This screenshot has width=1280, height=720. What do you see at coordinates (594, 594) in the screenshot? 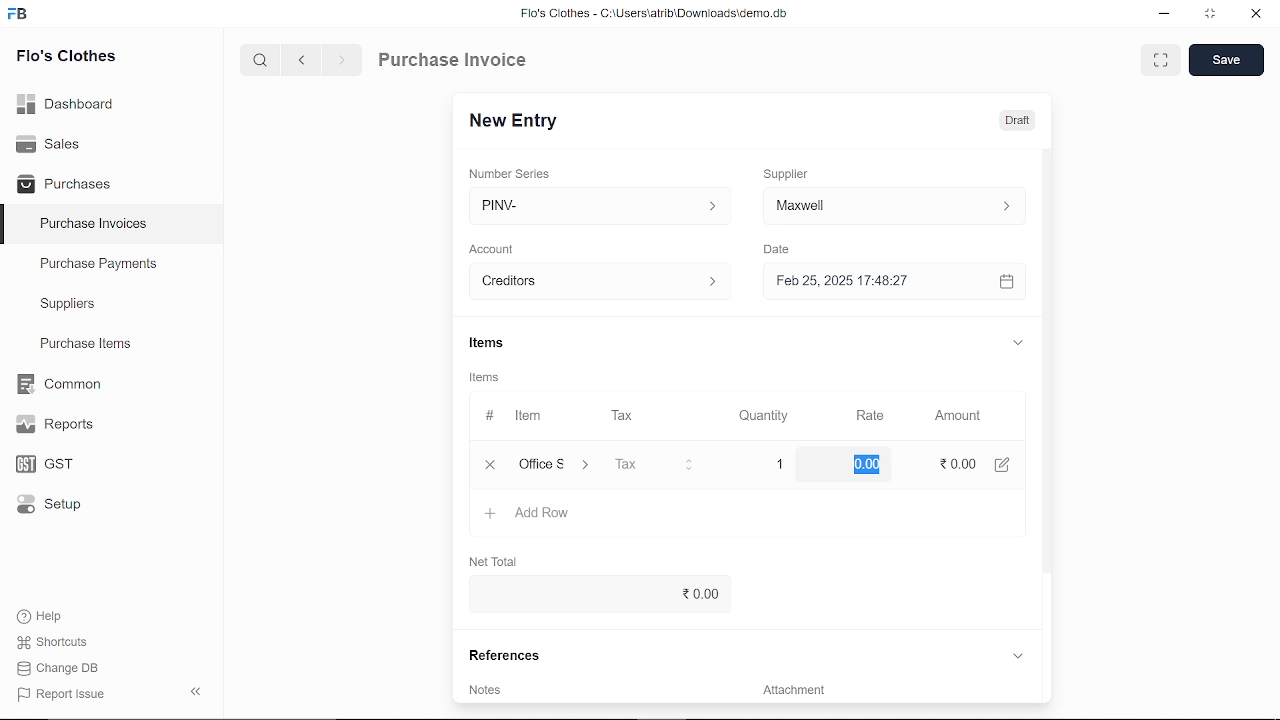
I see `0.00` at bounding box center [594, 594].